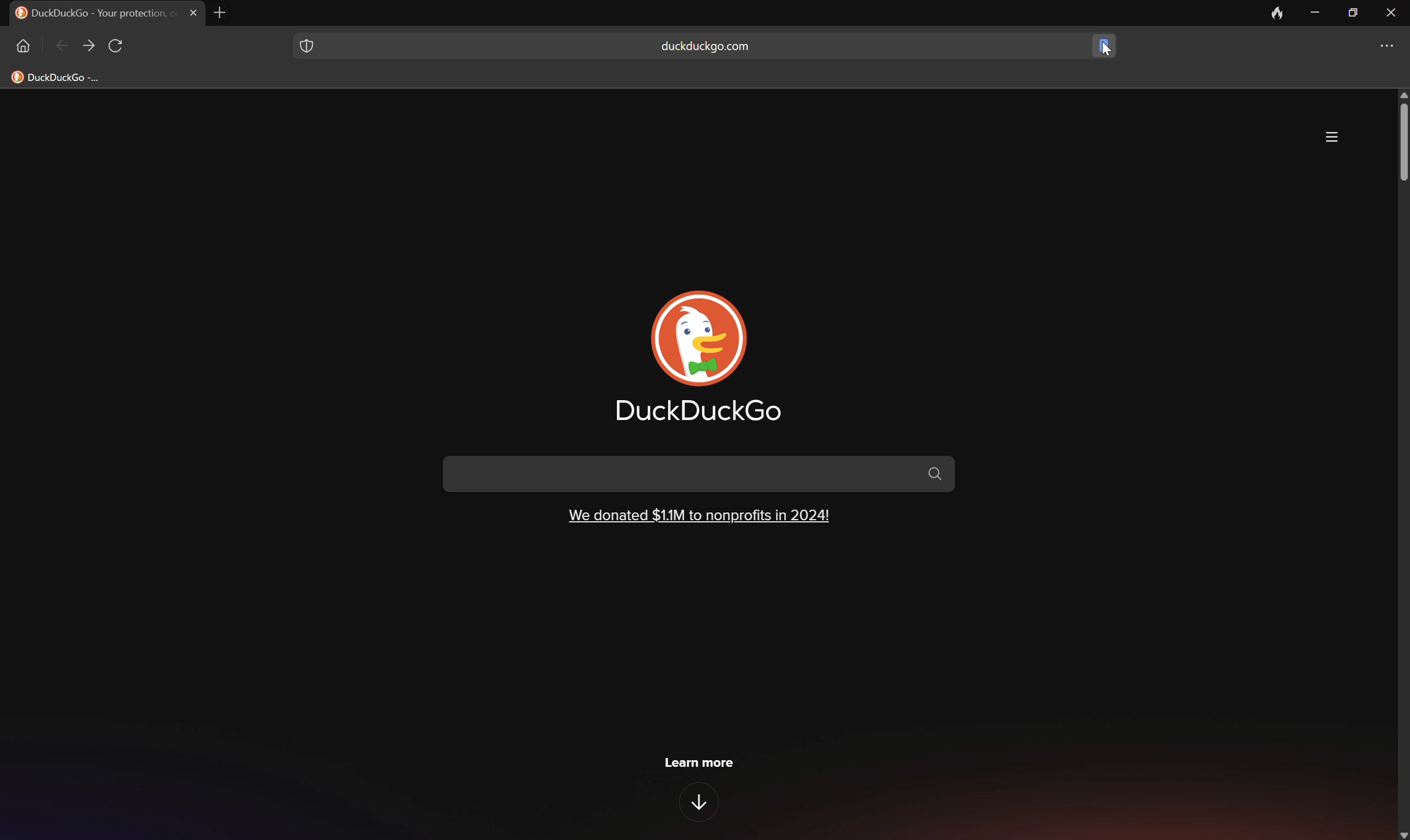  I want to click on DuckDuckGo, so click(699, 412).